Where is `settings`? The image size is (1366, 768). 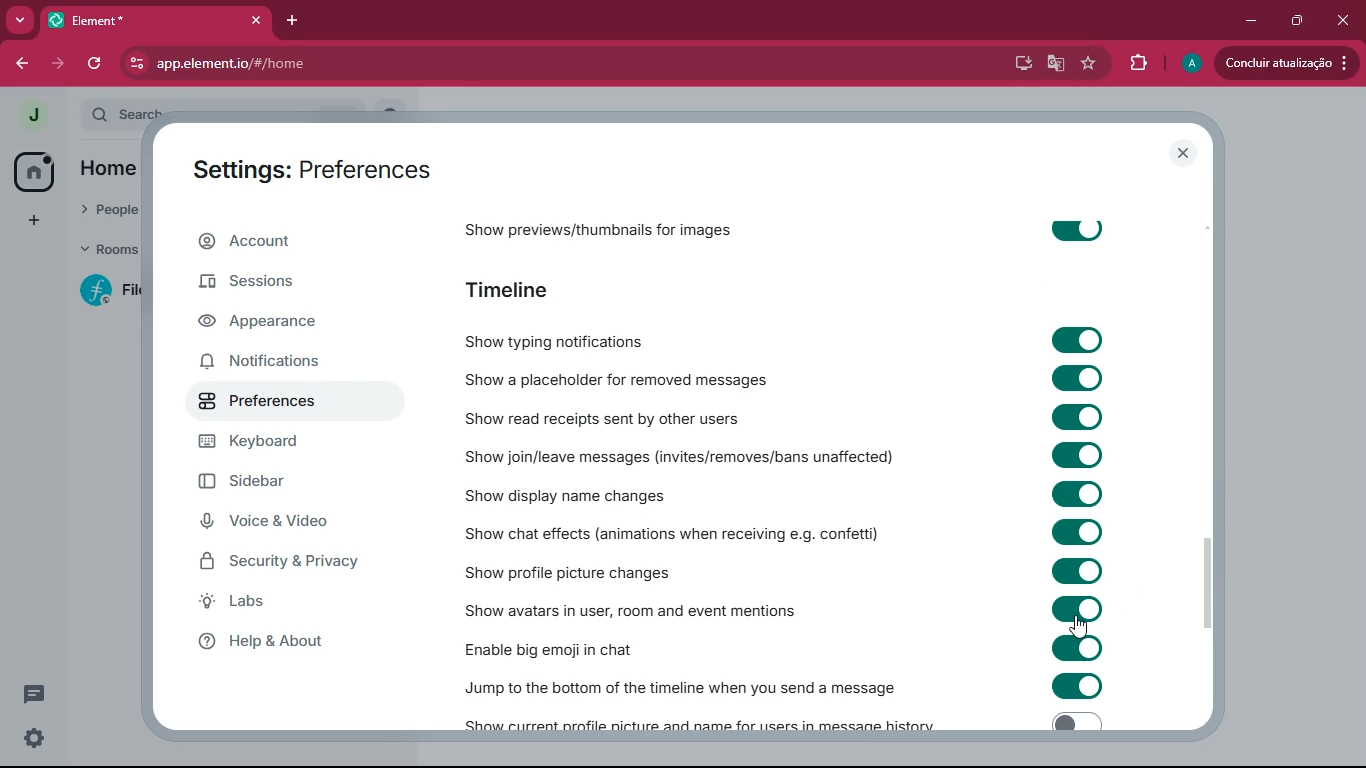 settings is located at coordinates (34, 740).